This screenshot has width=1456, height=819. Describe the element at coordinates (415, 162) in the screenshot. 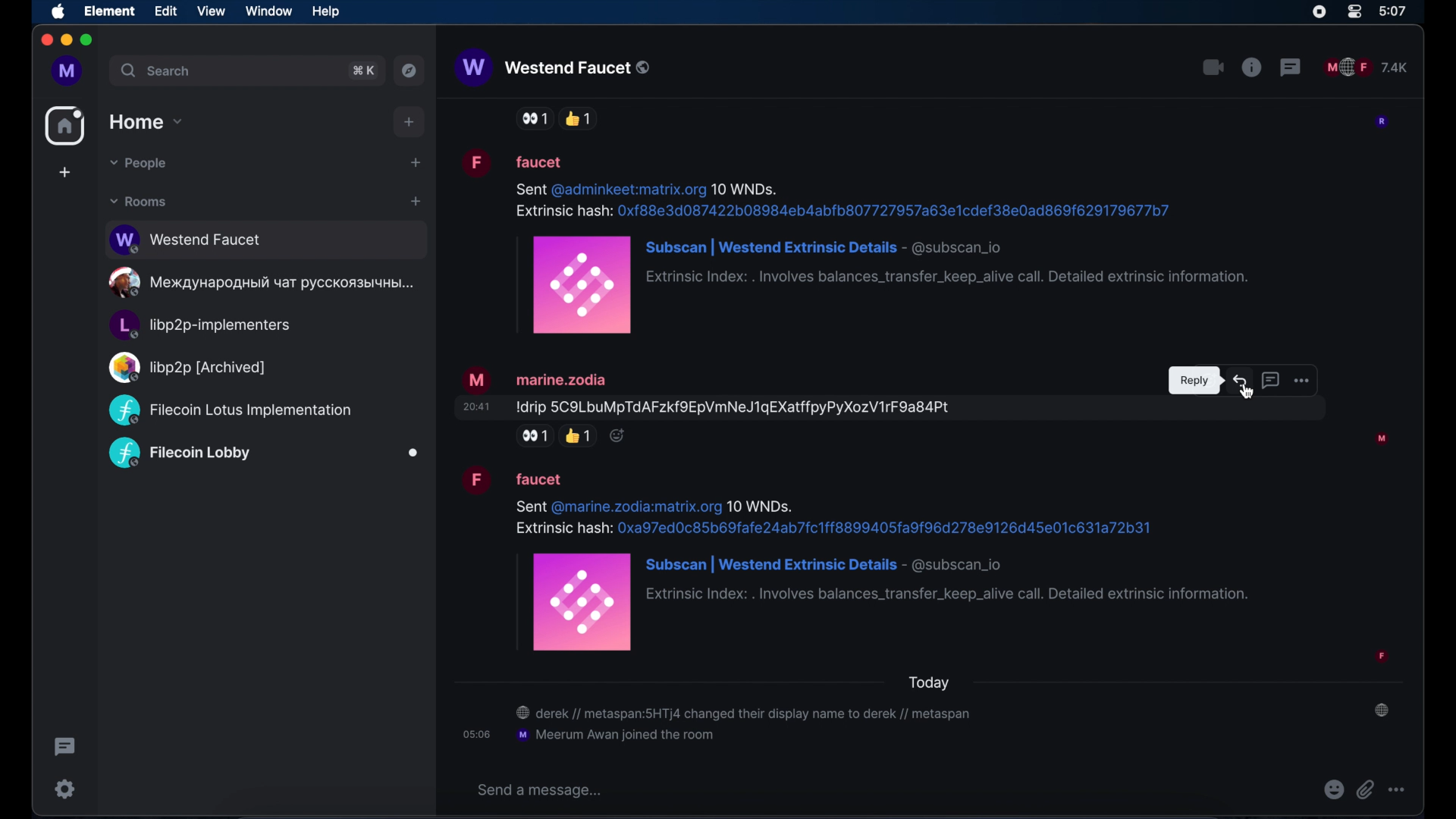

I see `start chat` at that location.